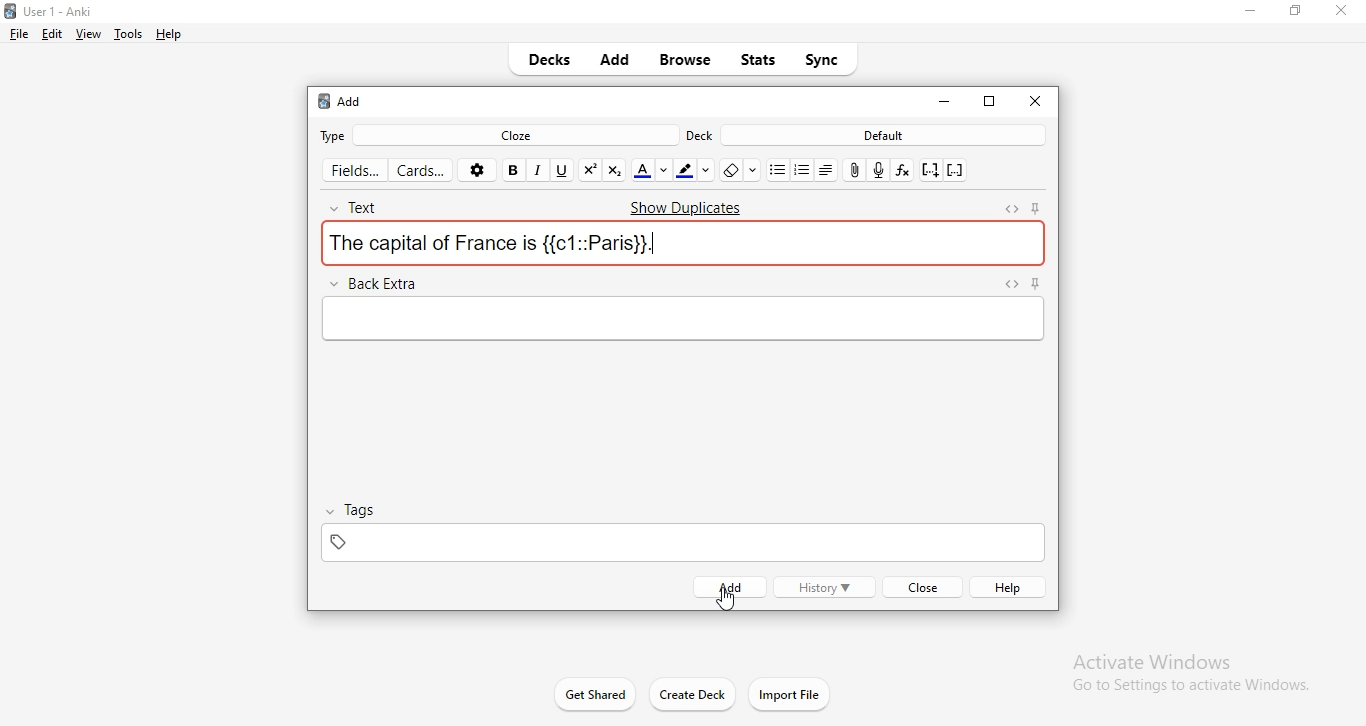 The width and height of the screenshot is (1366, 726). What do you see at coordinates (540, 170) in the screenshot?
I see `italics` at bounding box center [540, 170].